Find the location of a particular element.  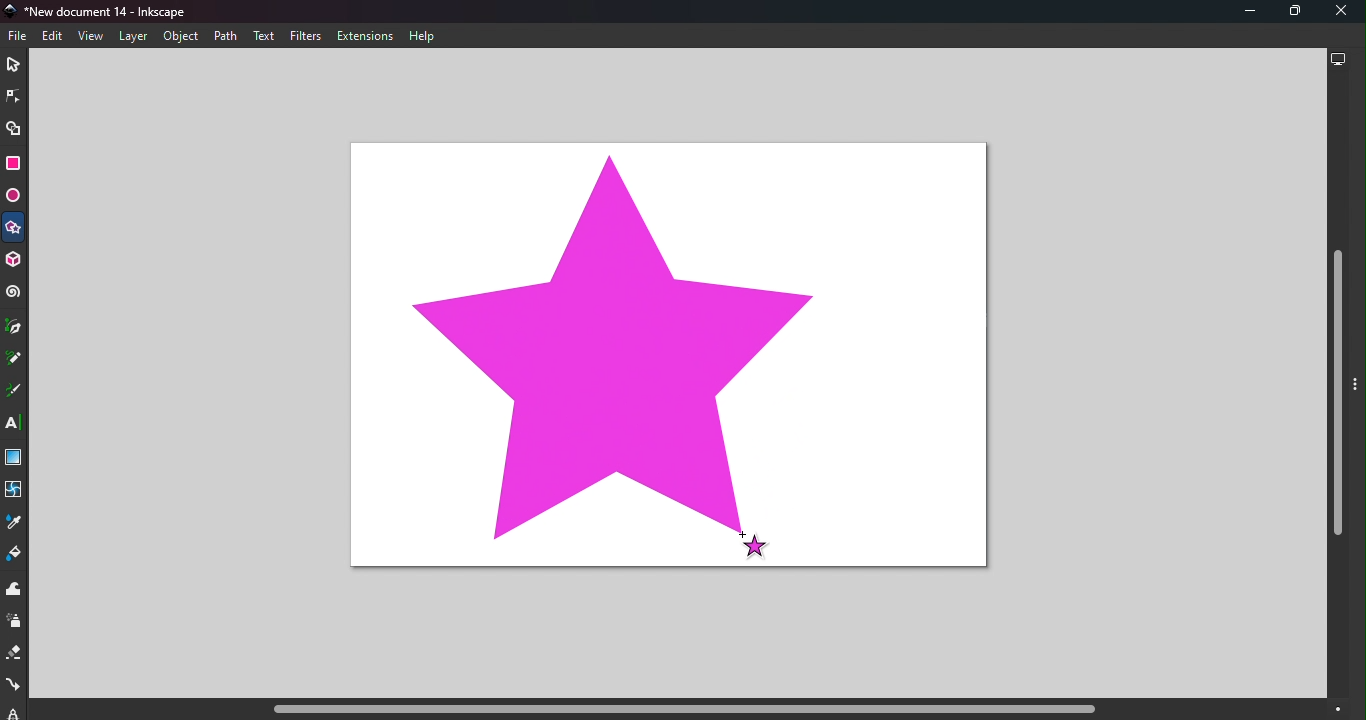

Path is located at coordinates (223, 35).